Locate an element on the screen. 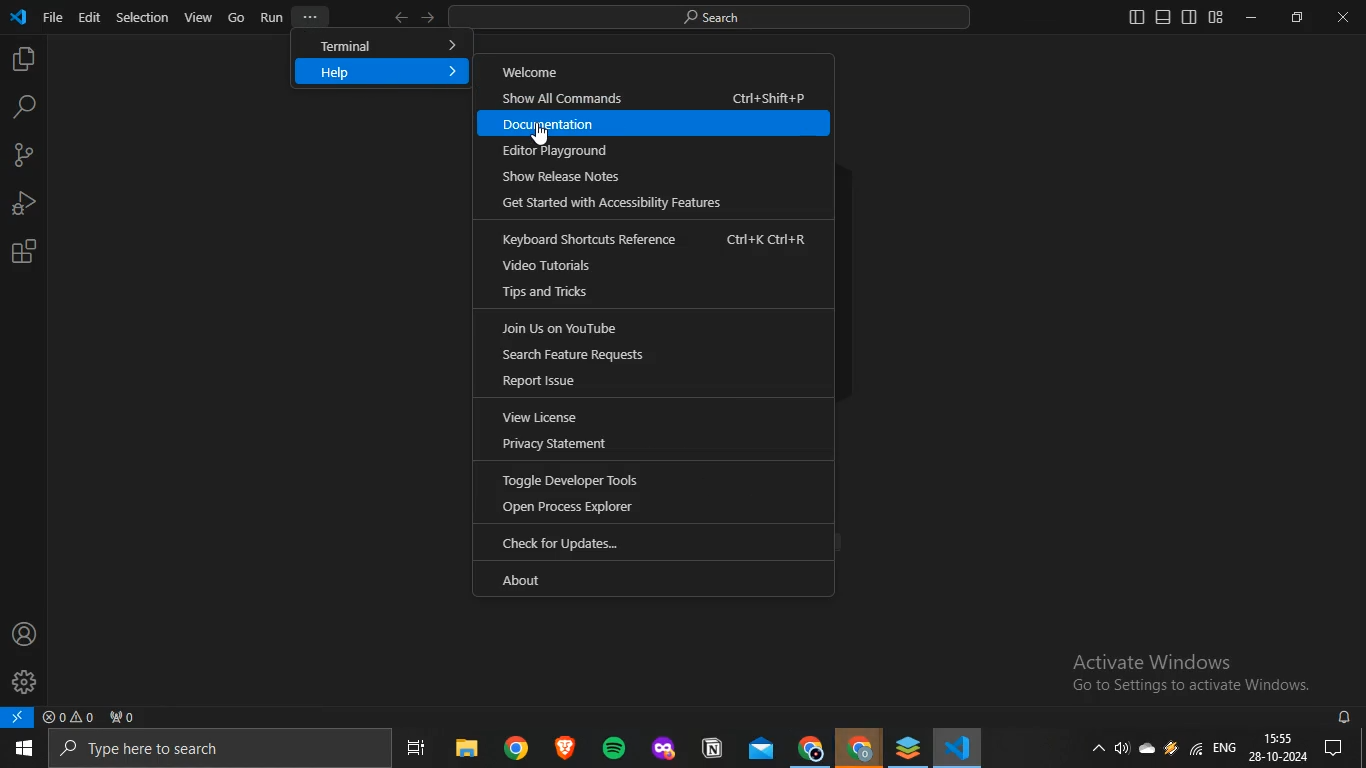 The height and width of the screenshot is (768, 1366). extension is located at coordinates (25, 251).